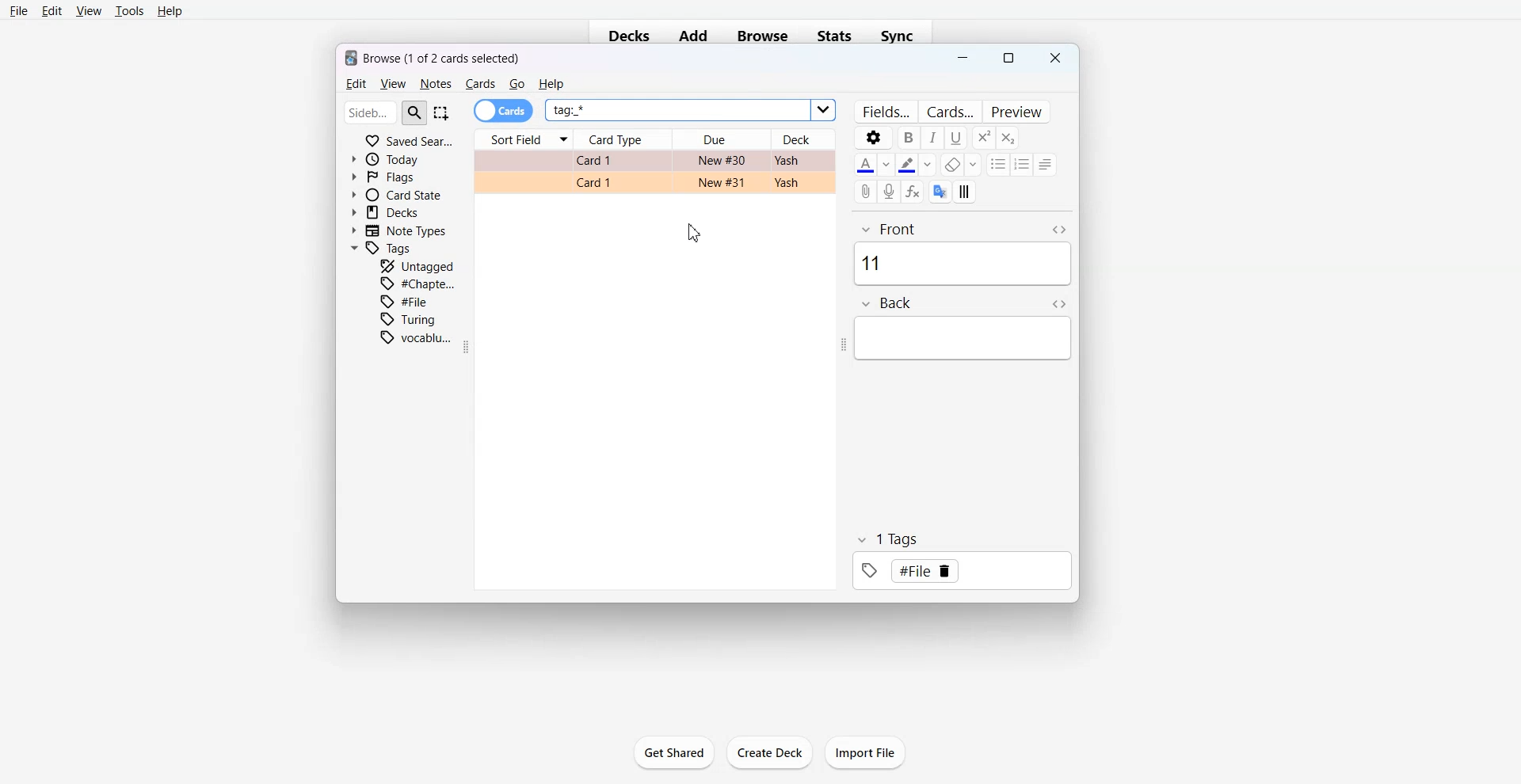 The width and height of the screenshot is (1521, 784). I want to click on Italic, so click(933, 137).